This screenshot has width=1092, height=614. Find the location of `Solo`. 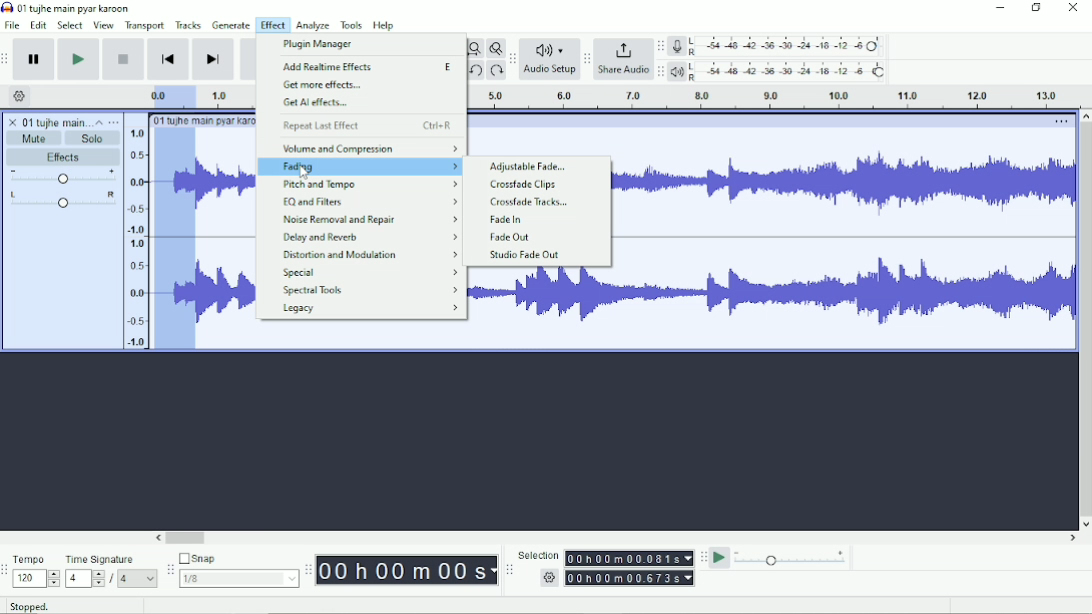

Solo is located at coordinates (93, 138).